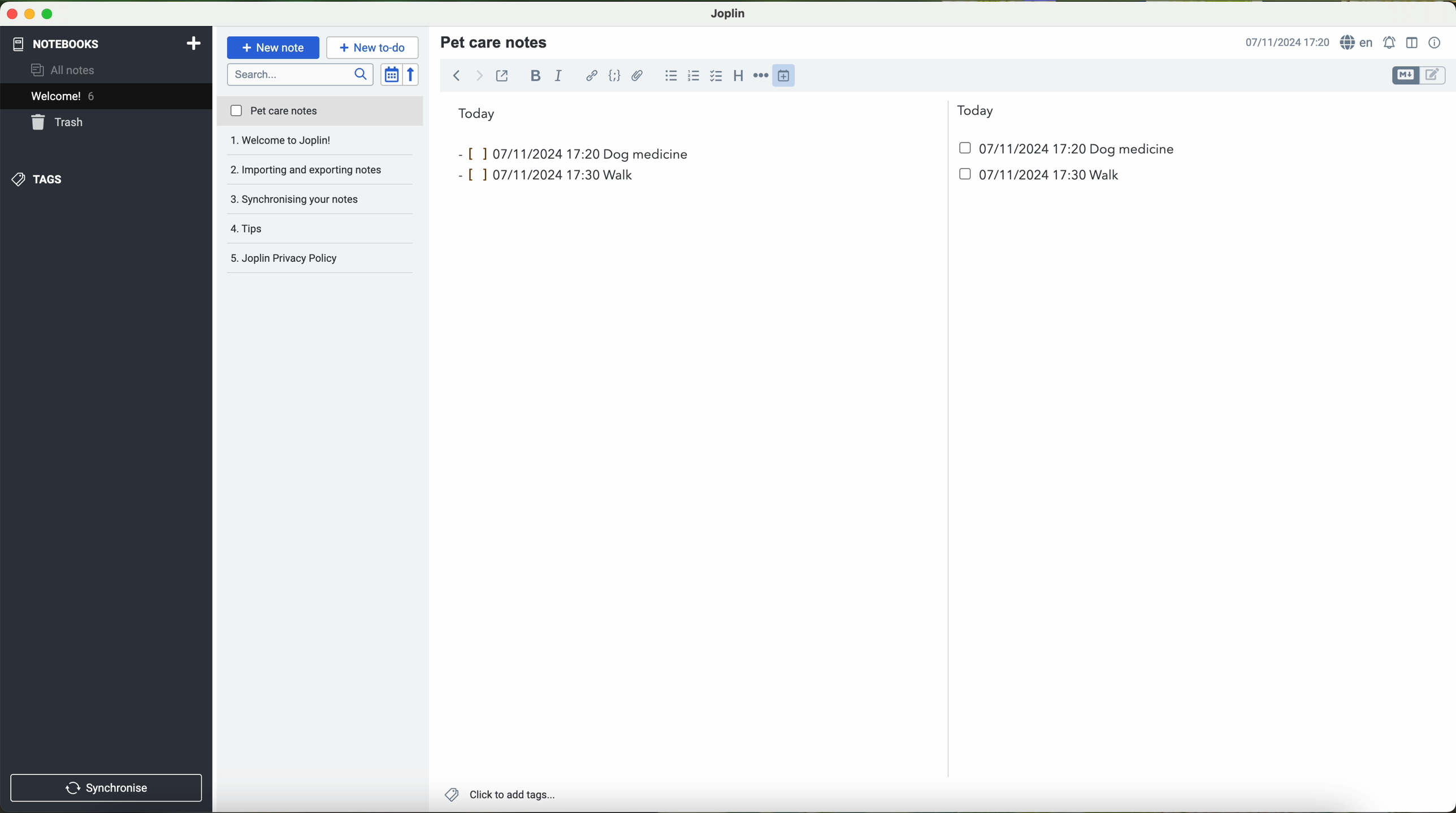  Describe the element at coordinates (1435, 43) in the screenshot. I see `note properties` at that location.